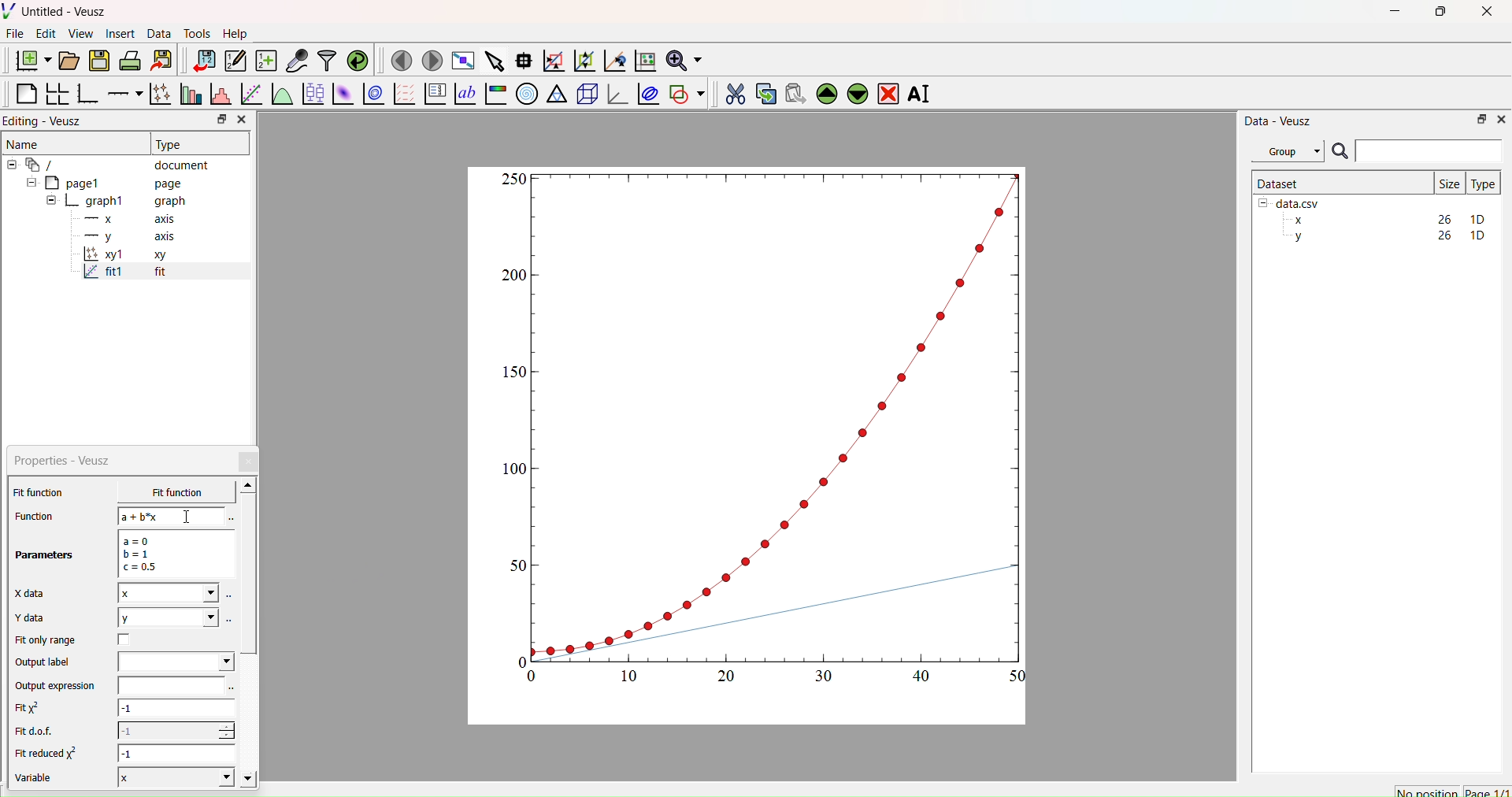  I want to click on a+b*x, so click(172, 516).